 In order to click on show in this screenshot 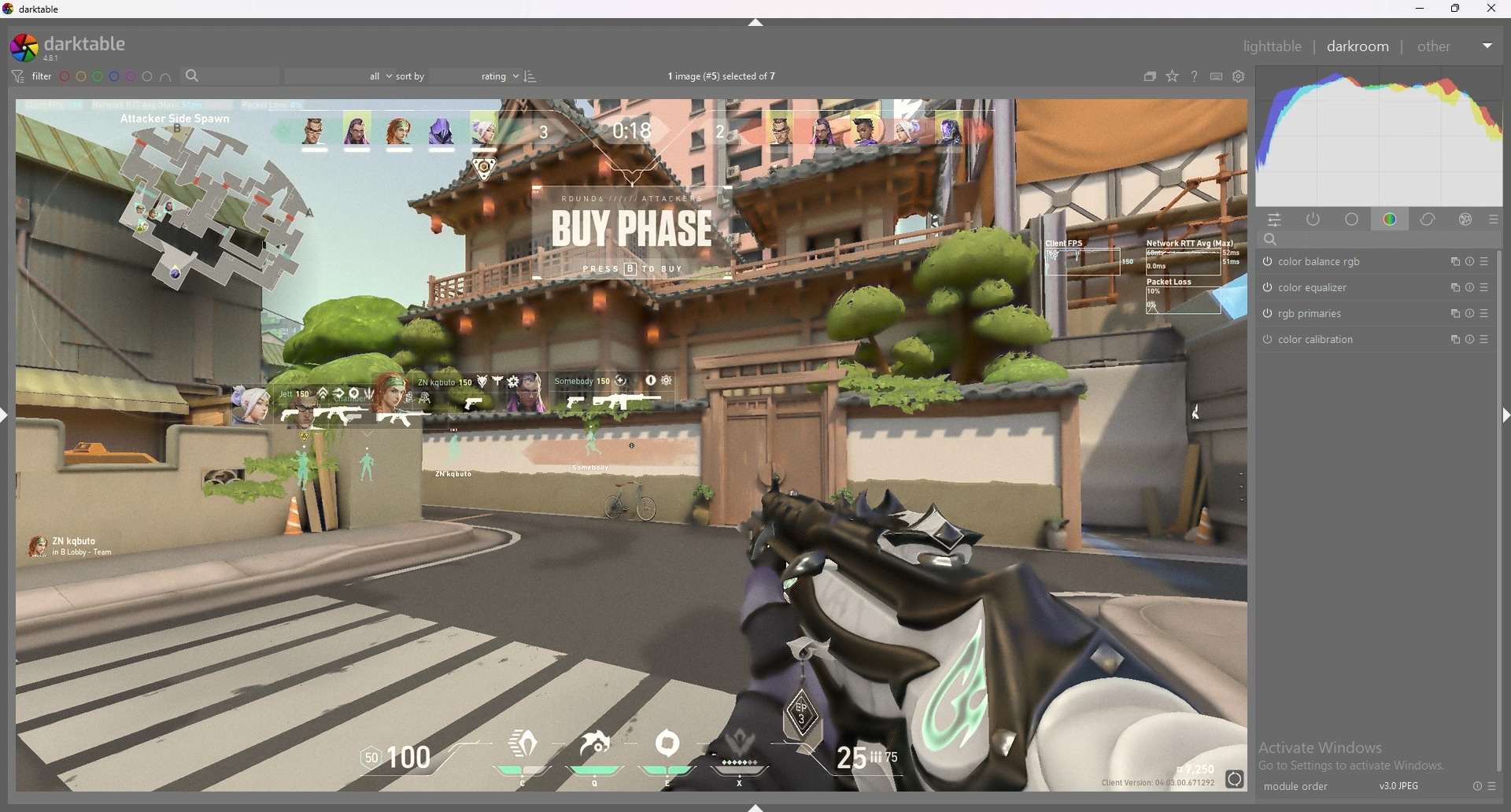, I will do `click(762, 803)`.